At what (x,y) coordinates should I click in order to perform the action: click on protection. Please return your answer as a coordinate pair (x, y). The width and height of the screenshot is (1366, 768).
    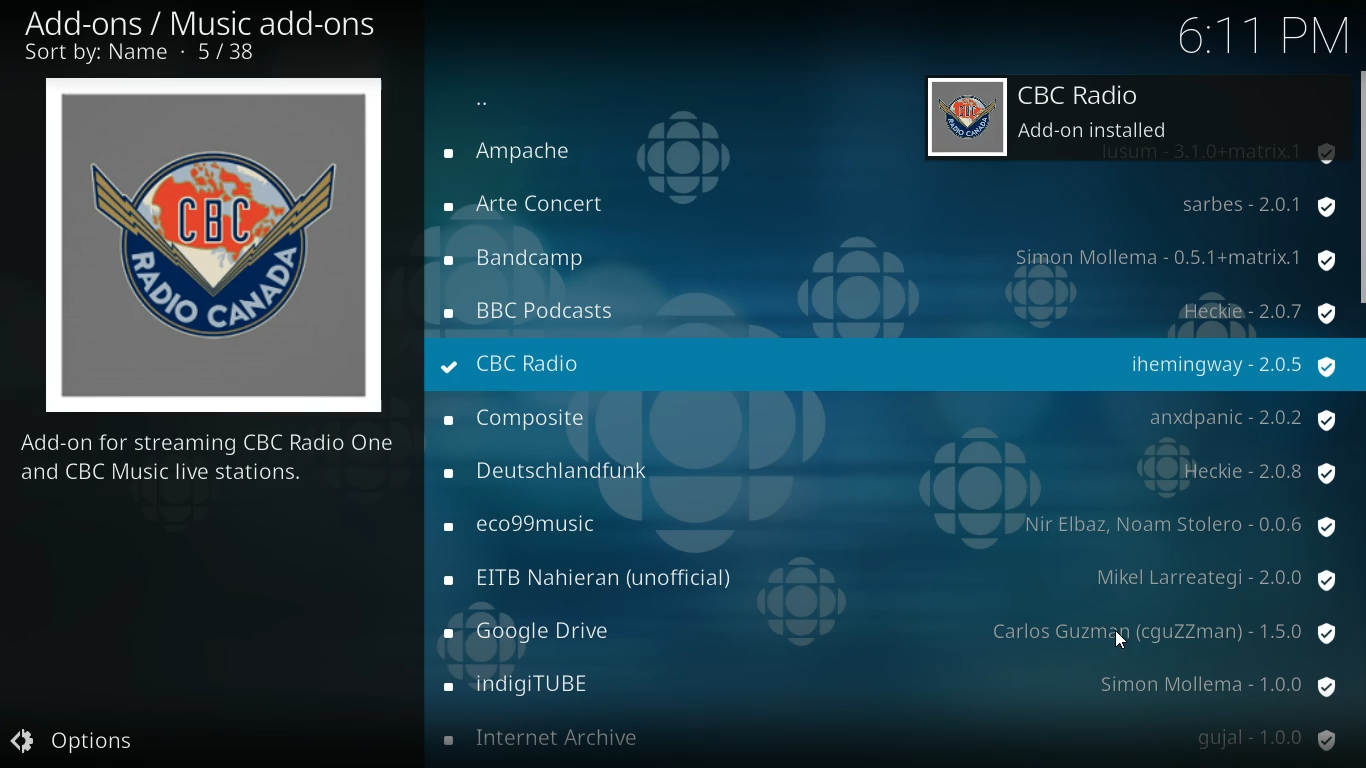
    Looking at the image, I should click on (1189, 686).